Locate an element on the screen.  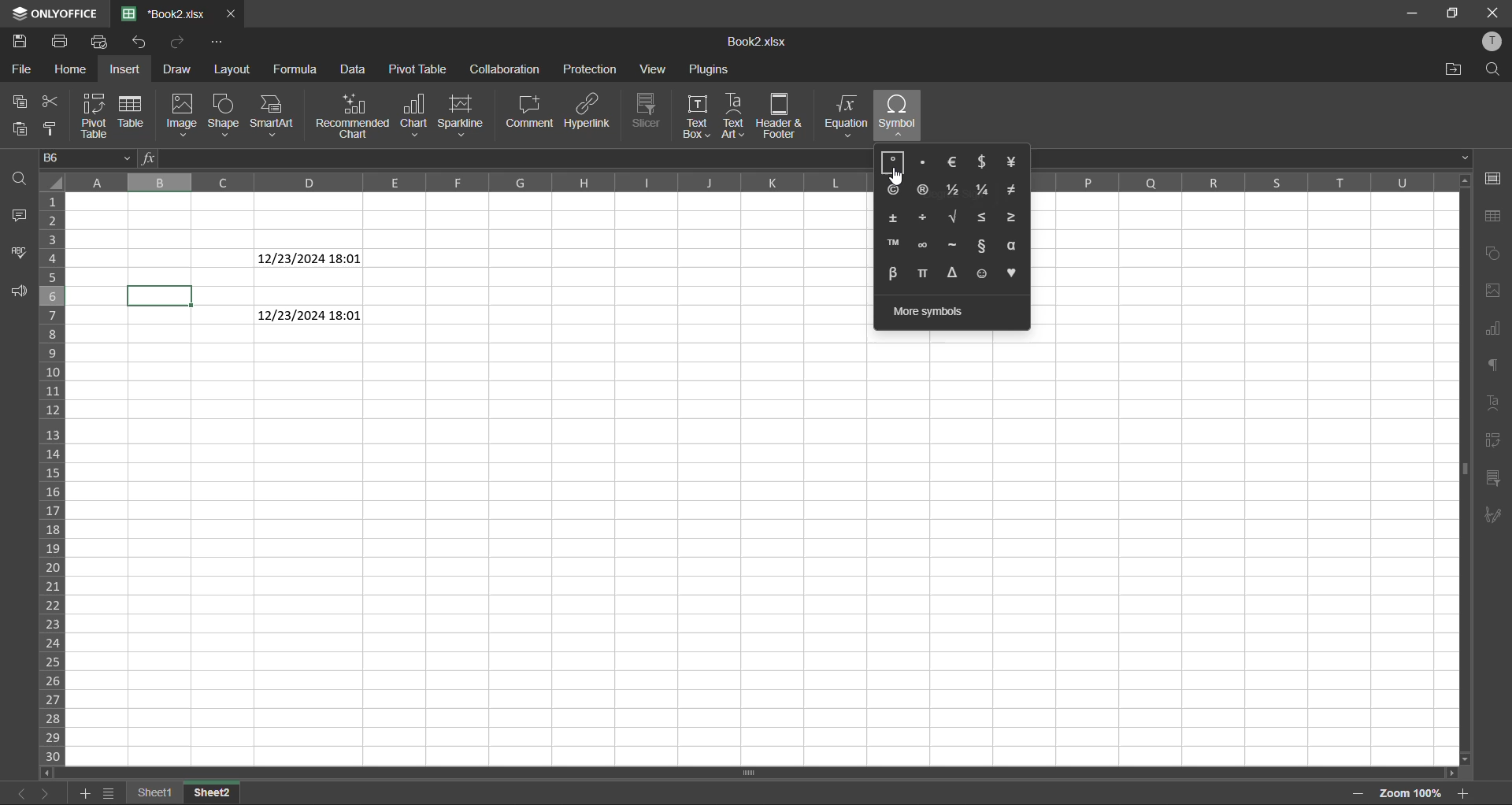
text box is located at coordinates (702, 117).